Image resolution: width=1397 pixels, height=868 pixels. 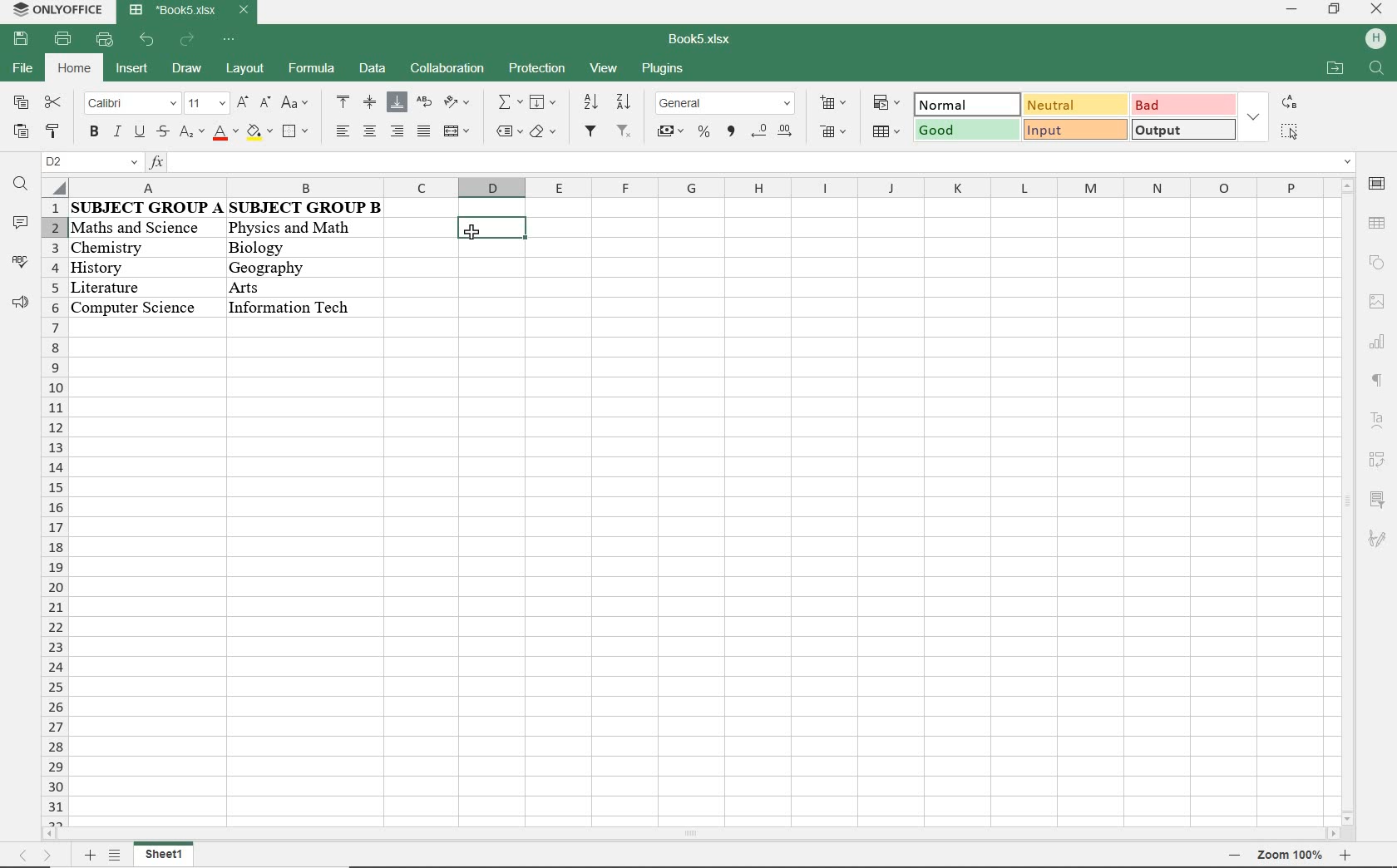 I want to click on plugins, so click(x=661, y=70).